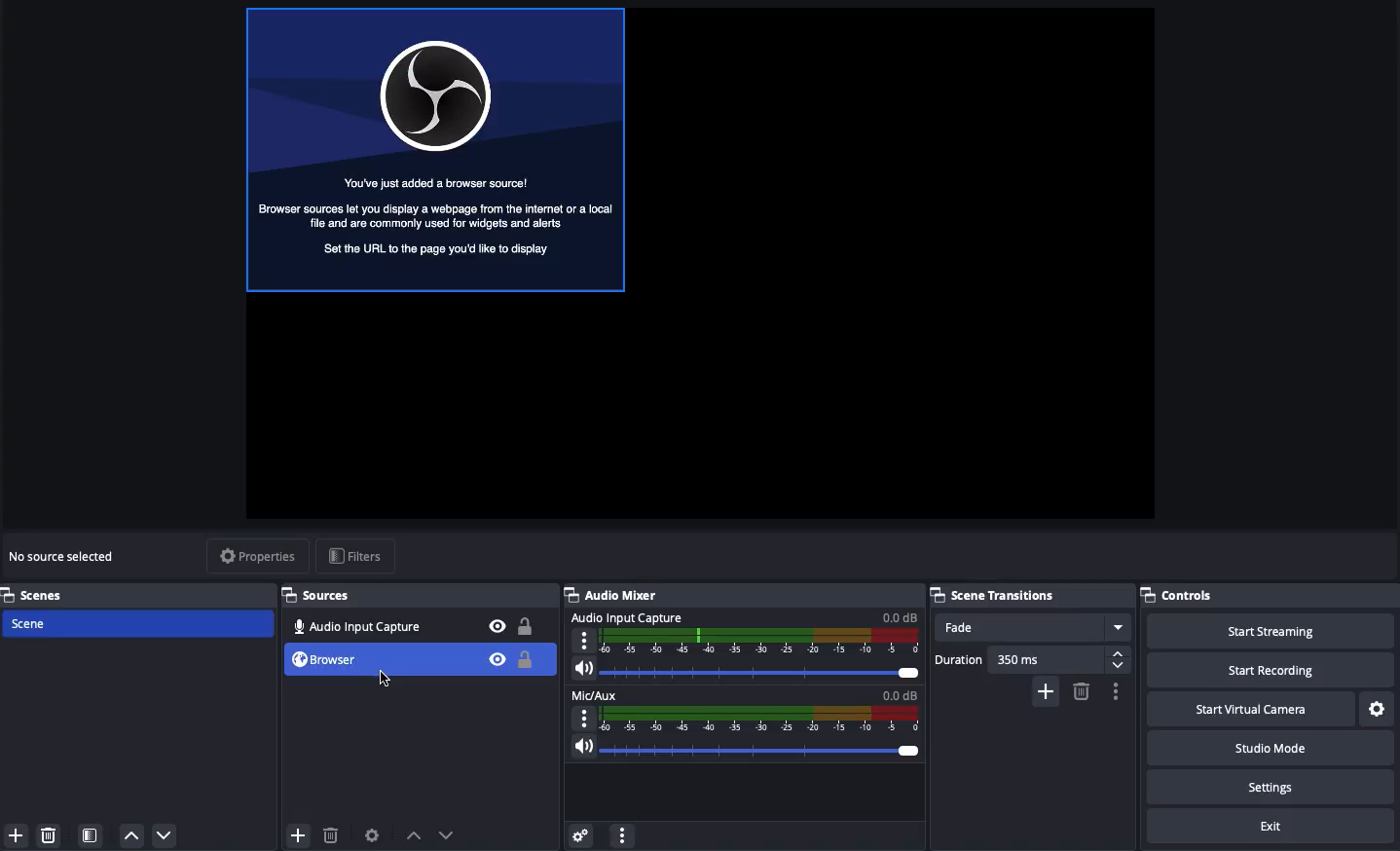 Image resolution: width=1400 pixels, height=851 pixels. What do you see at coordinates (1117, 691) in the screenshot?
I see `Options` at bounding box center [1117, 691].